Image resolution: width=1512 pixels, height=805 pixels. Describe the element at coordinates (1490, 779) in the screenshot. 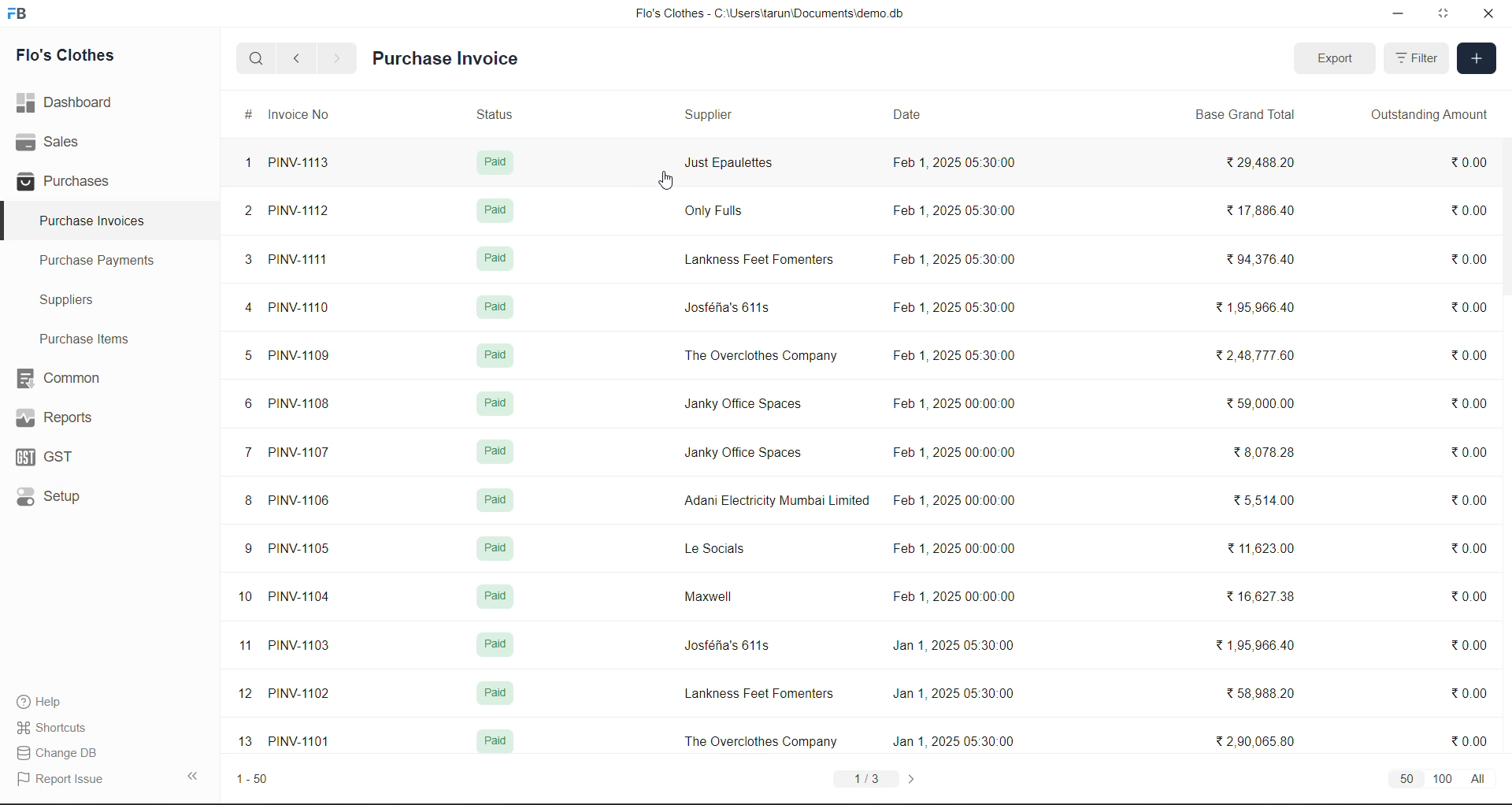

I see `all` at that location.